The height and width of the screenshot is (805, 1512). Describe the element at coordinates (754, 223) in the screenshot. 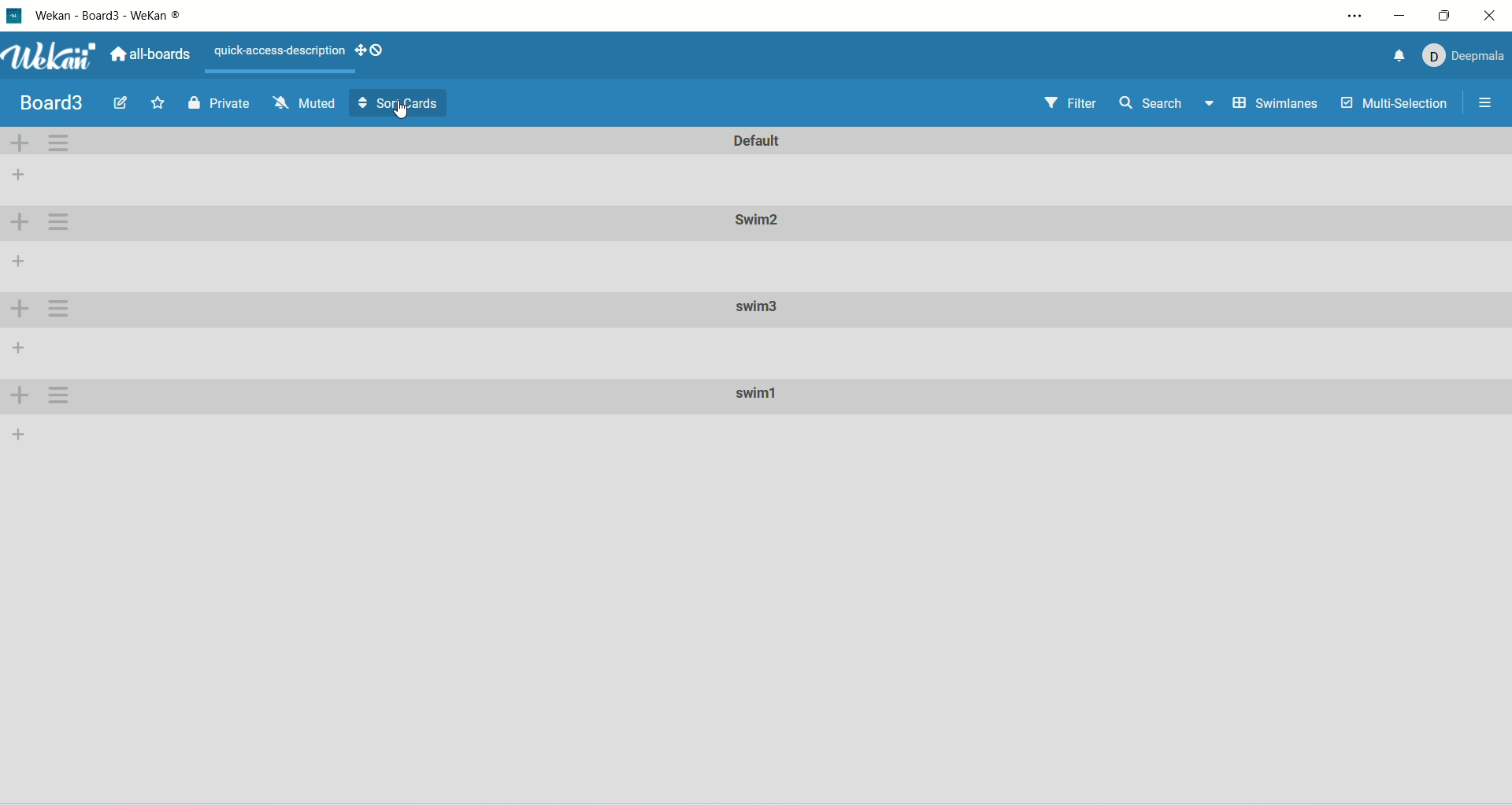

I see `swim2` at that location.